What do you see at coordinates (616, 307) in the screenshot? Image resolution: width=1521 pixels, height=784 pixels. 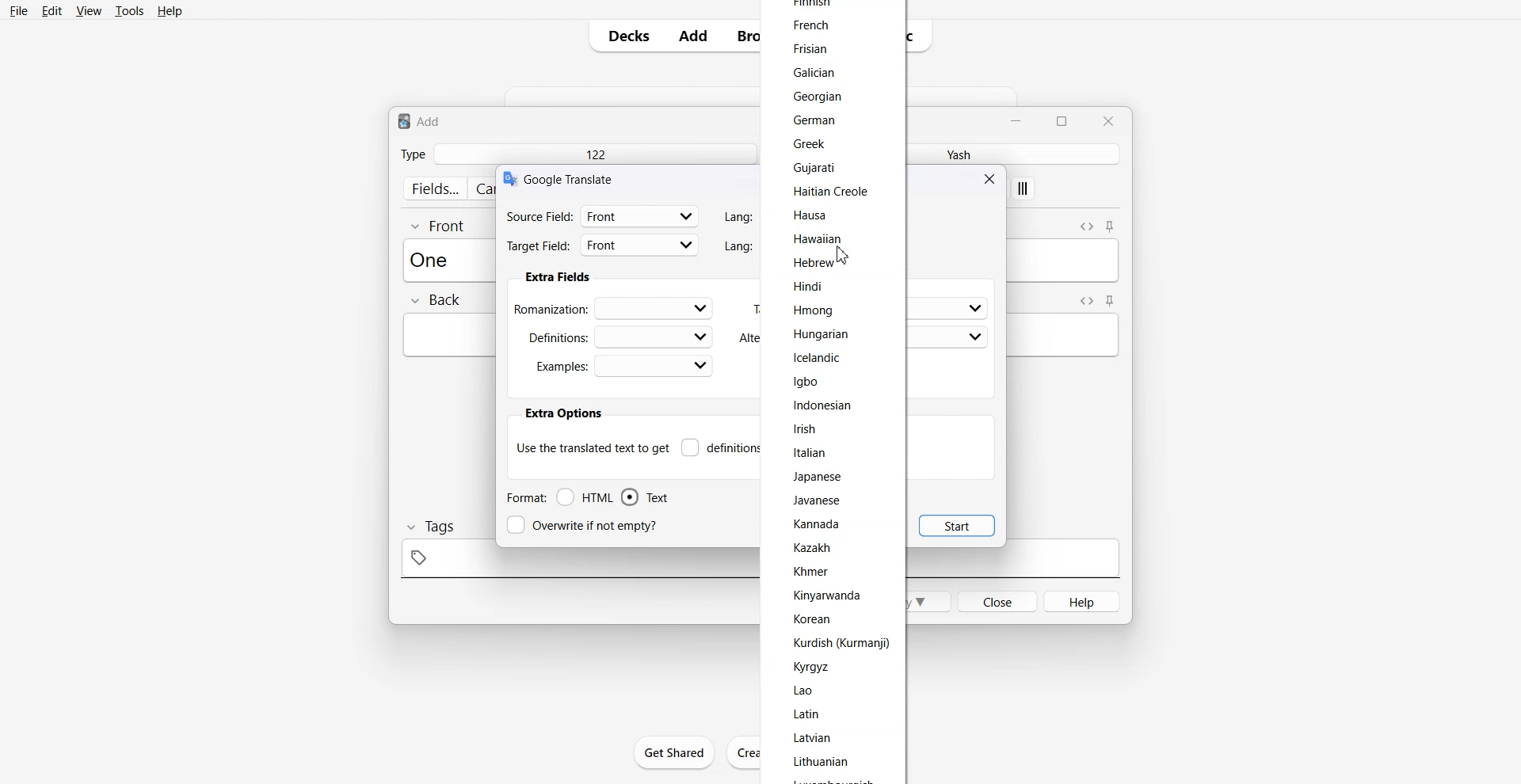 I see `Romanization:` at bounding box center [616, 307].